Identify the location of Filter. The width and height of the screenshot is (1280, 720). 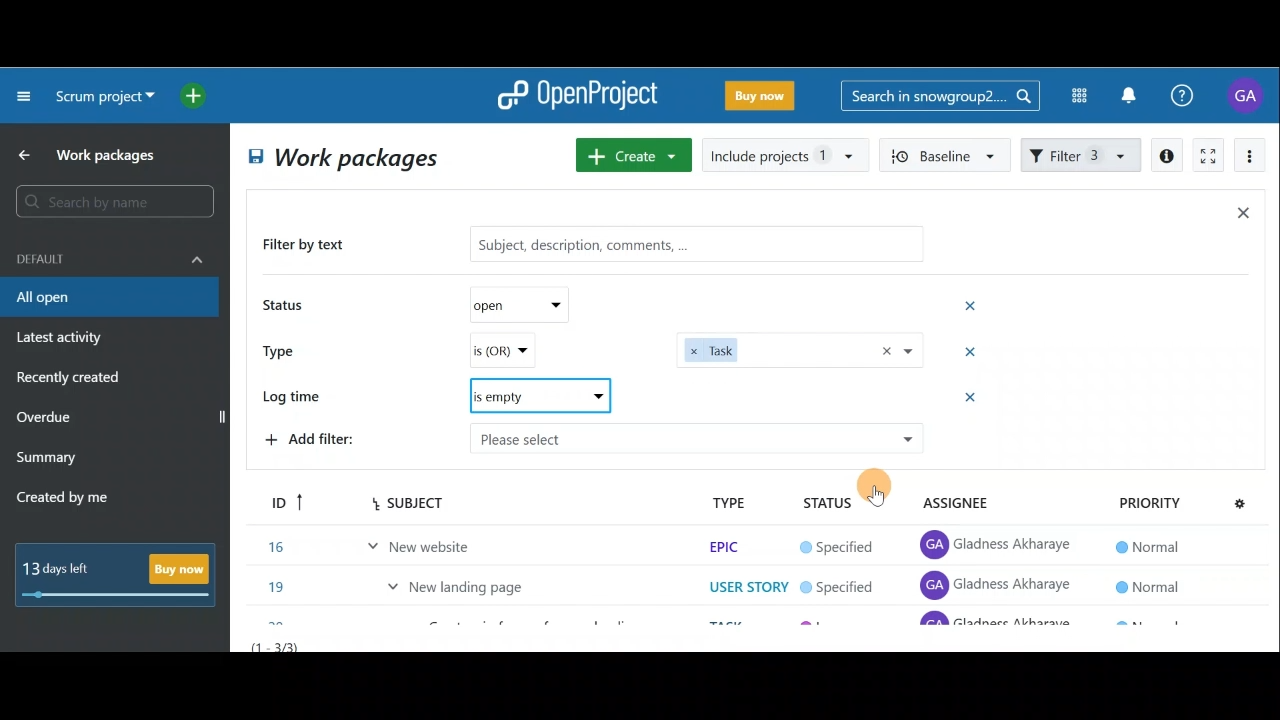
(1082, 153).